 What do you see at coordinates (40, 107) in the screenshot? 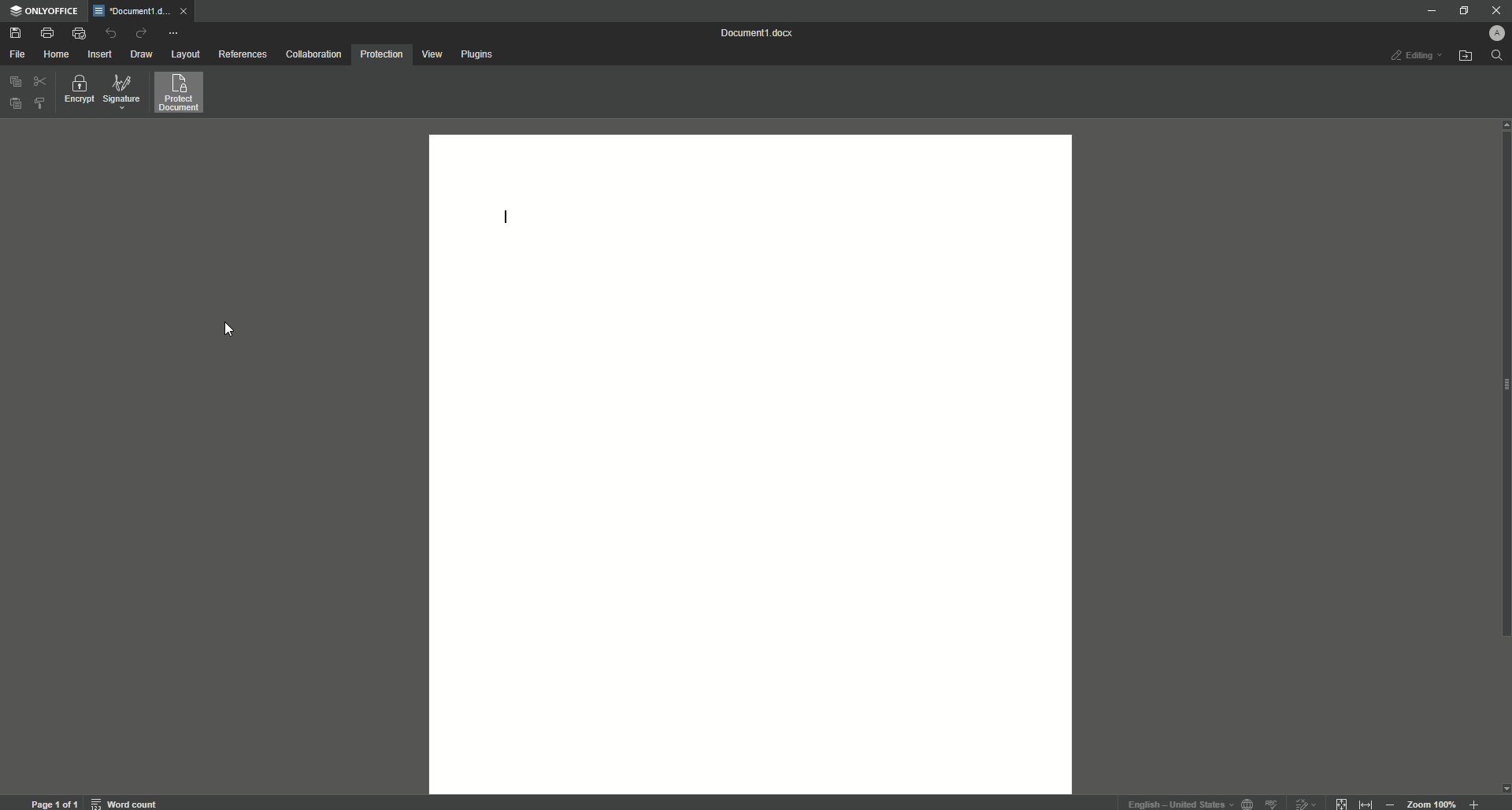
I see `Choose  styles` at bounding box center [40, 107].